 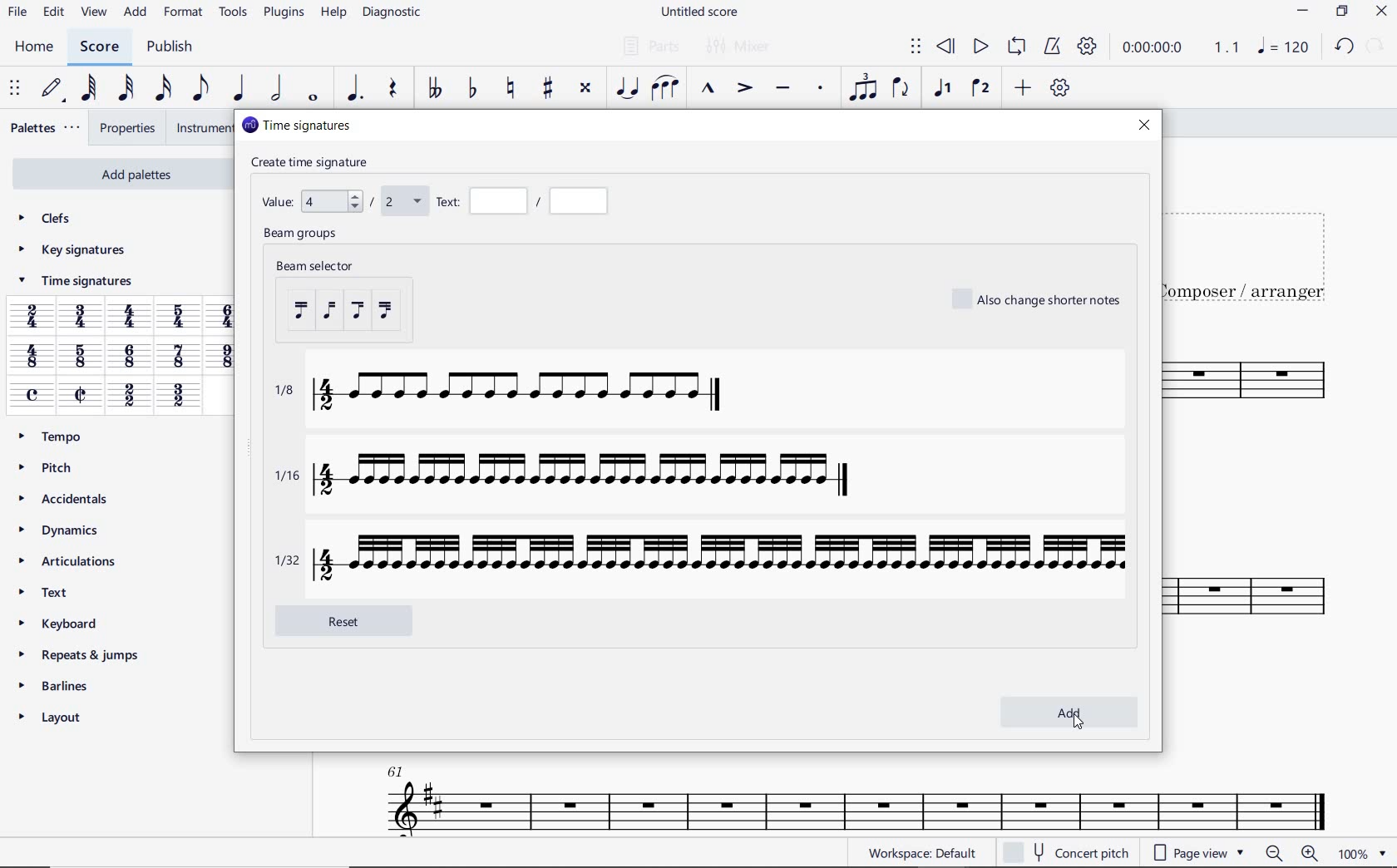 What do you see at coordinates (275, 89) in the screenshot?
I see `HALF NOTE` at bounding box center [275, 89].